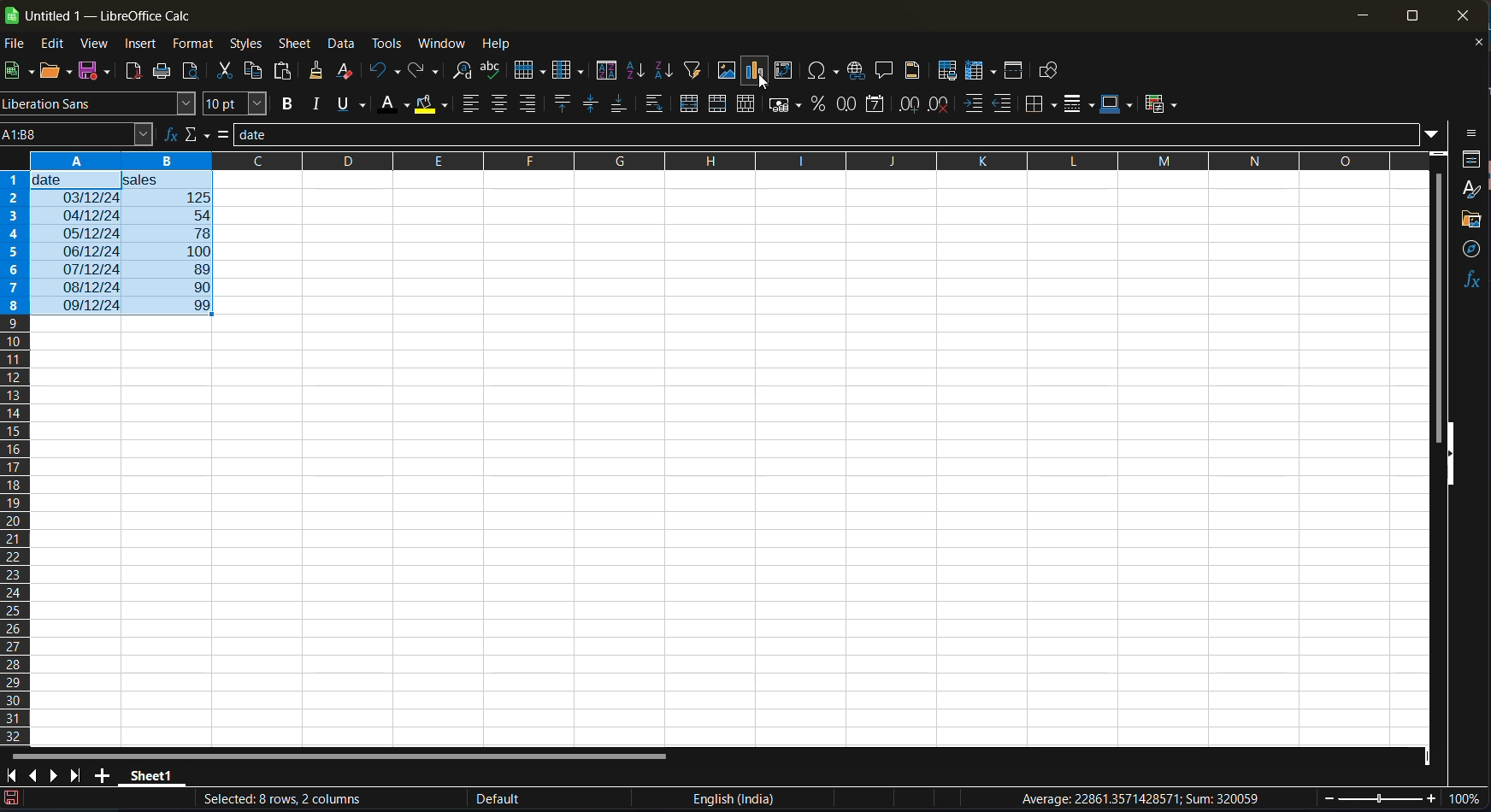 This screenshot has height=812, width=1491. What do you see at coordinates (495, 71) in the screenshot?
I see `spelling` at bounding box center [495, 71].